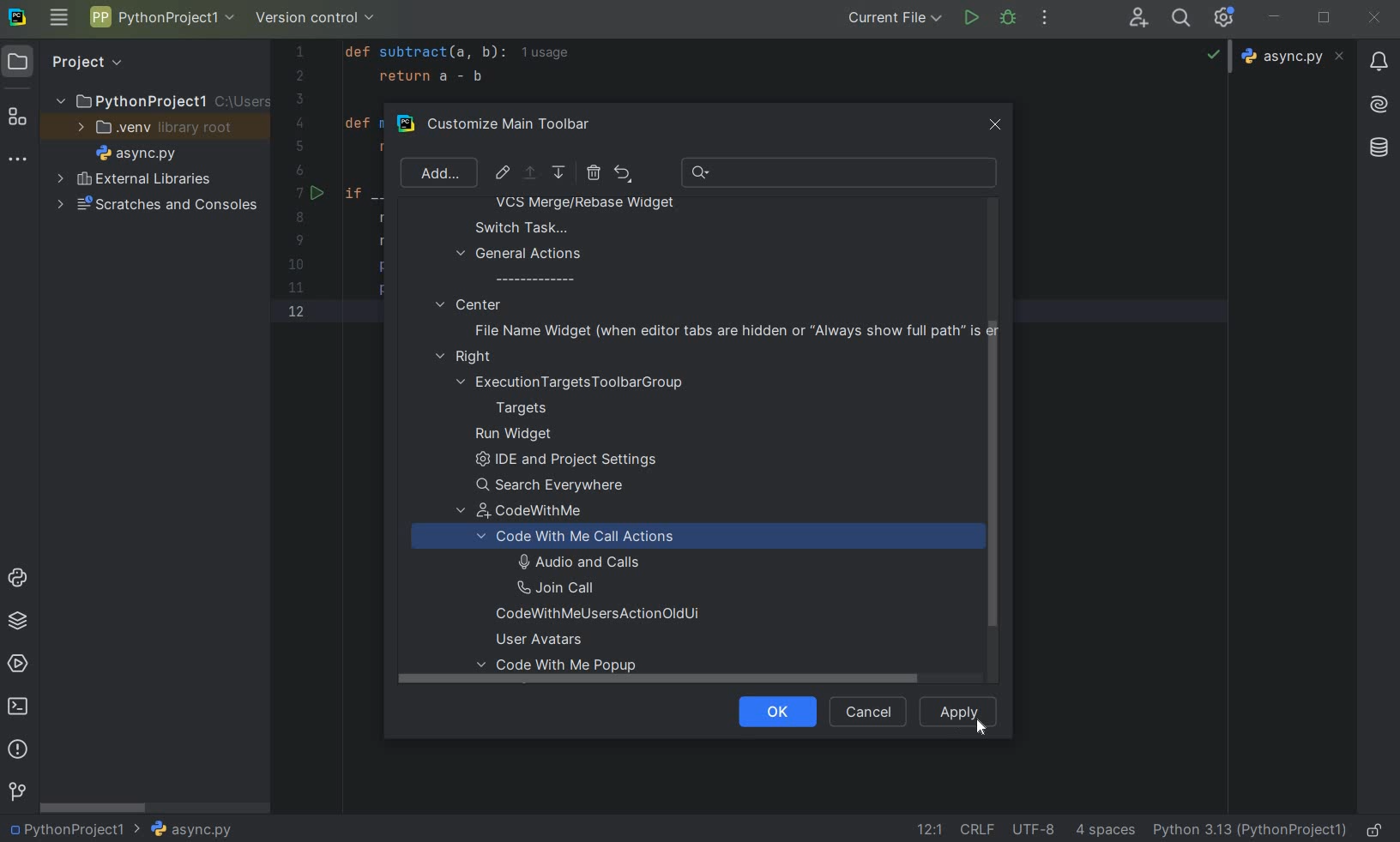  Describe the element at coordinates (564, 670) in the screenshot. I see `code with me popup` at that location.